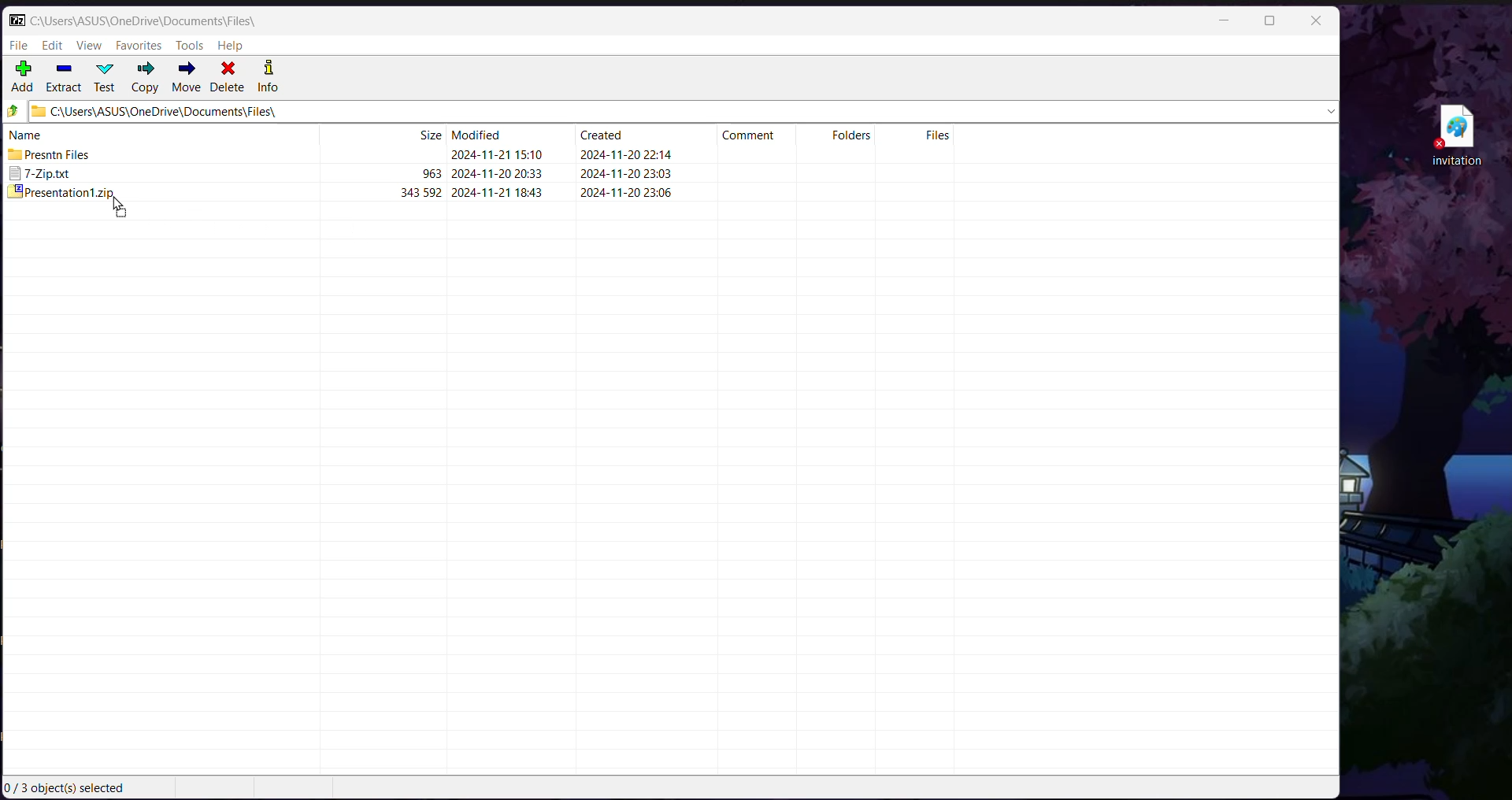 This screenshot has width=1512, height=800. What do you see at coordinates (185, 77) in the screenshot?
I see `Move` at bounding box center [185, 77].